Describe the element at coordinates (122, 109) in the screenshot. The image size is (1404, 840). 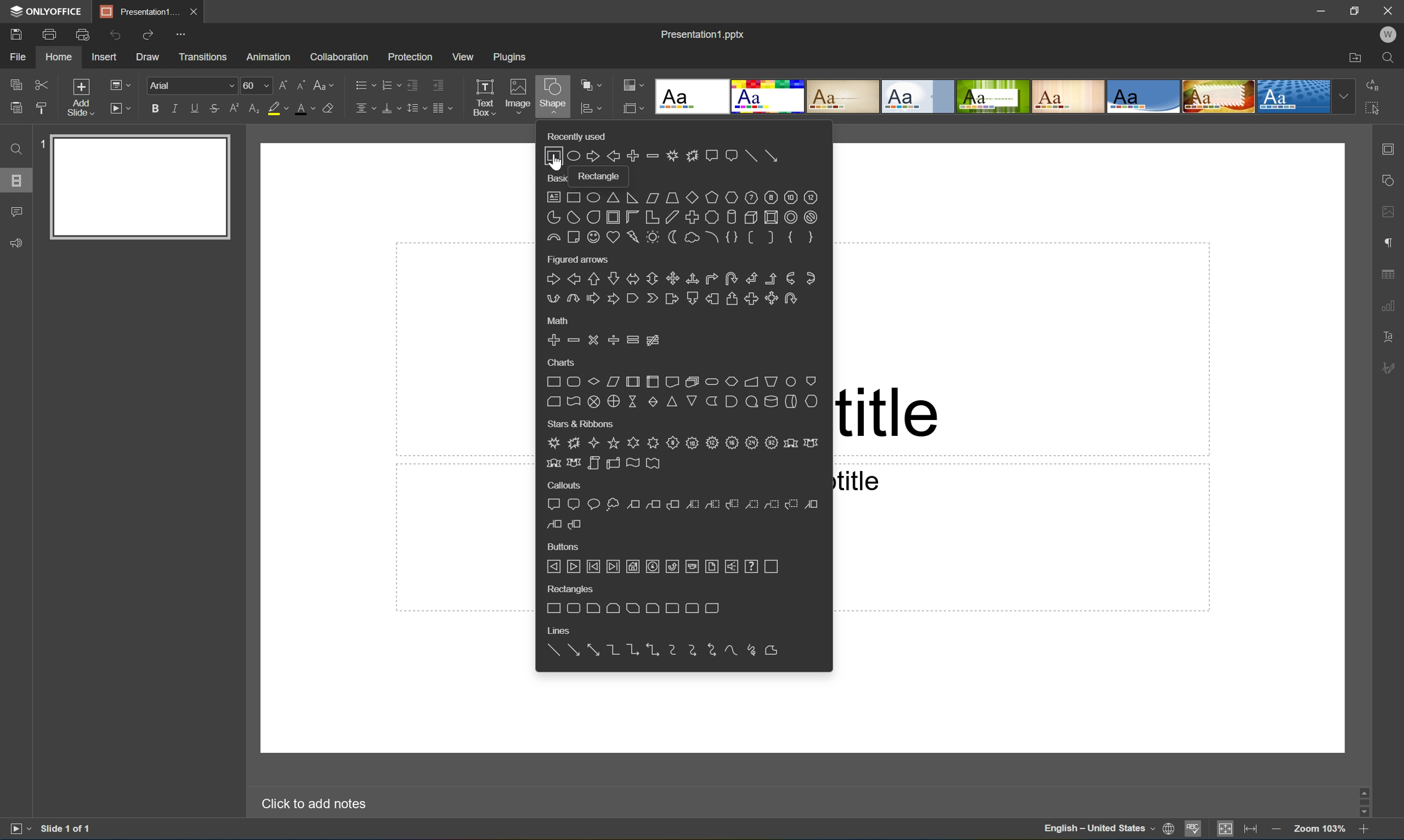
I see `Start slideshow` at that location.